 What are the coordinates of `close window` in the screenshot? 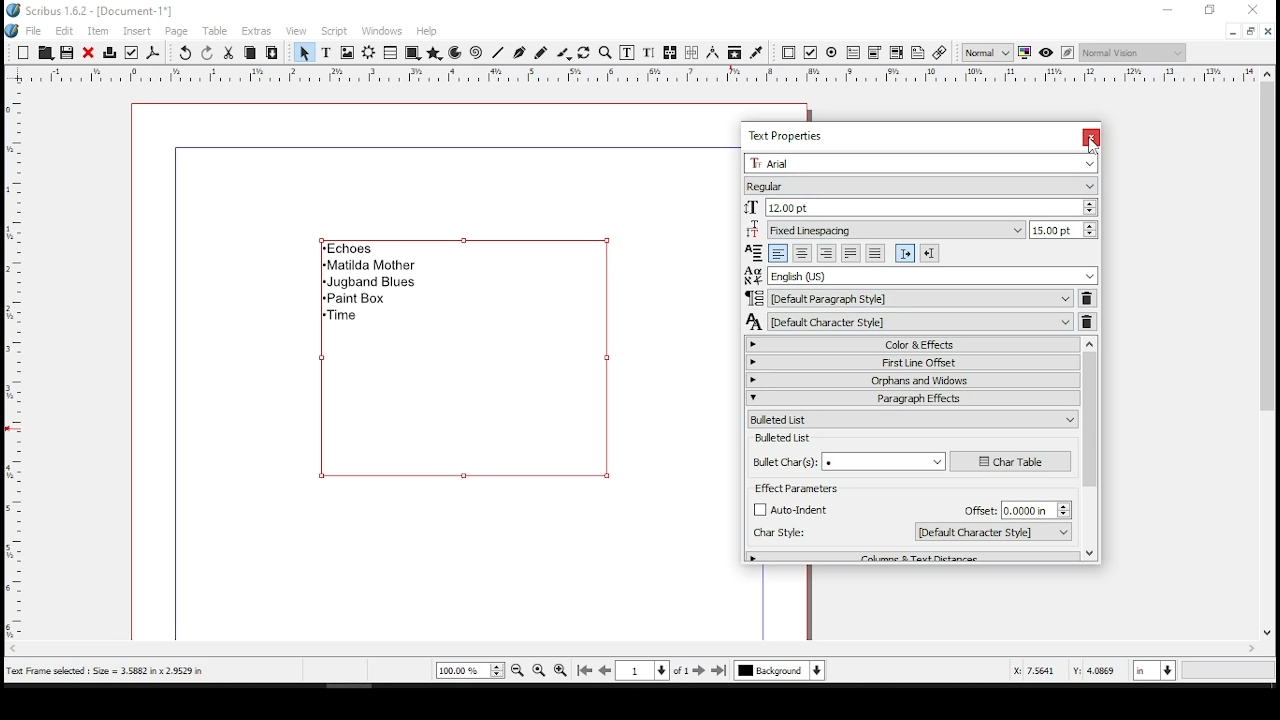 It's located at (1268, 31).